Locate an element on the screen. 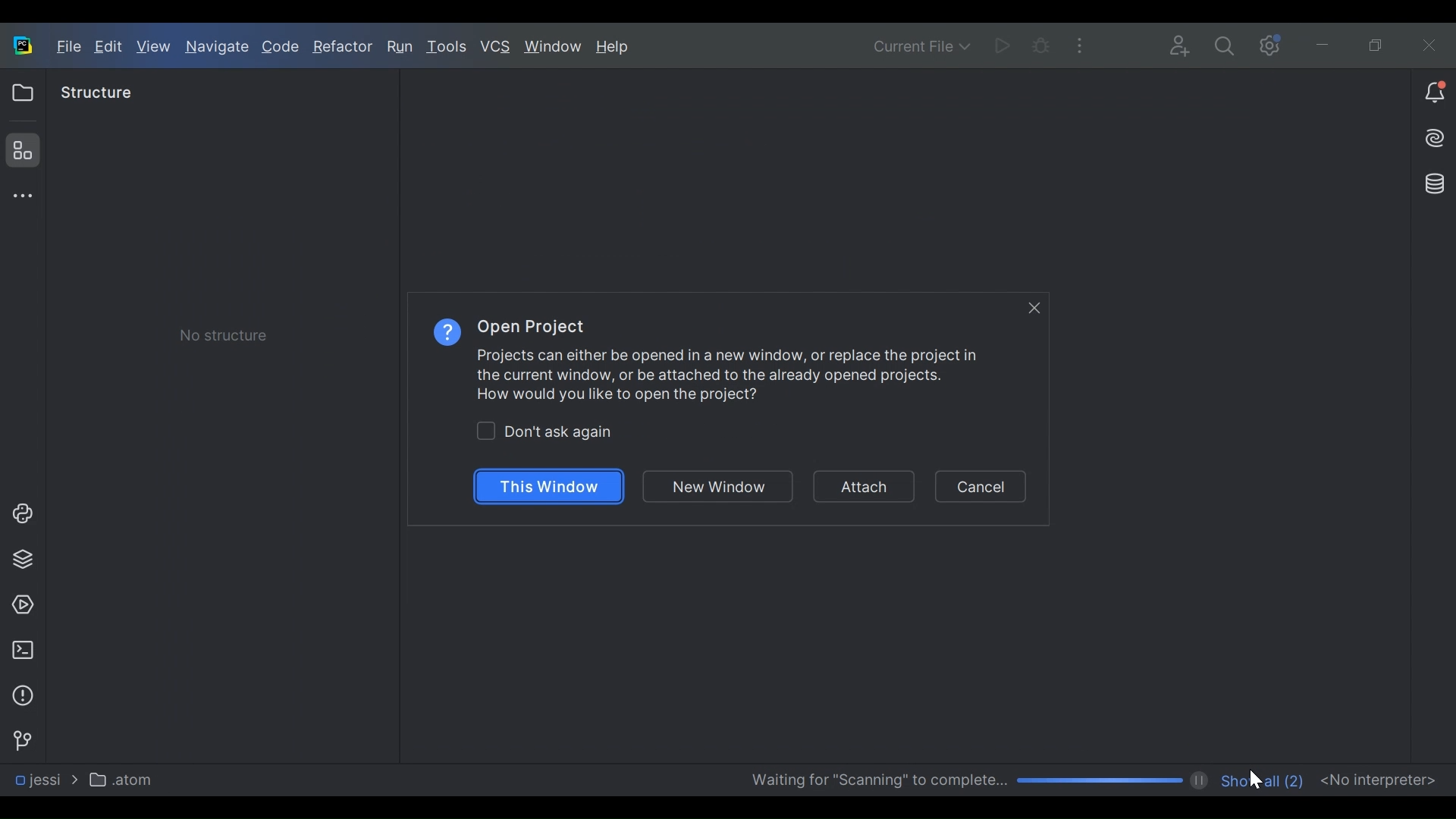  View is located at coordinates (155, 47).